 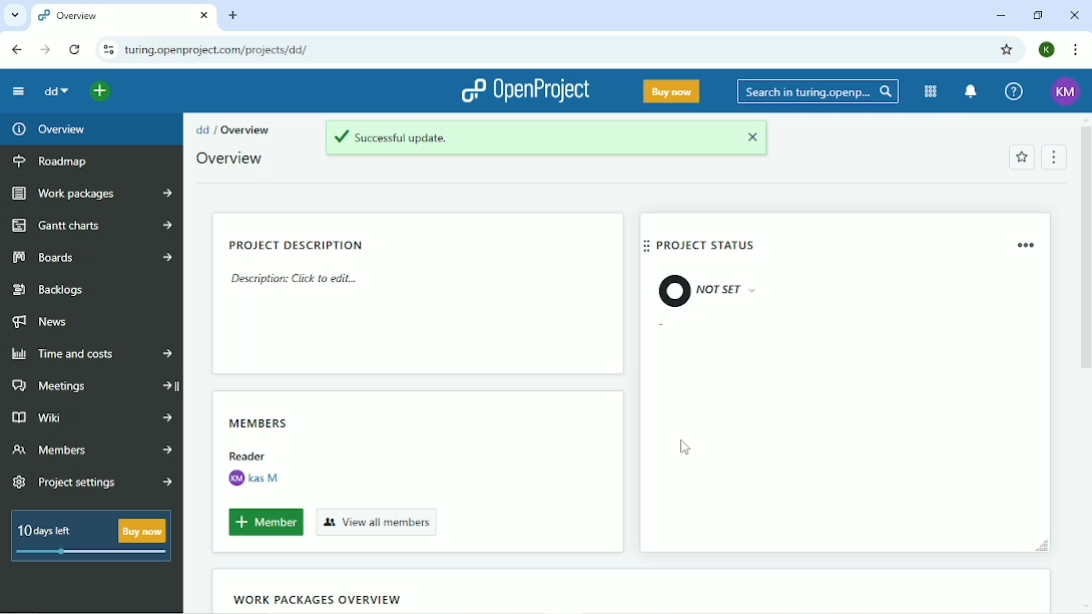 I want to click on 10 days left, so click(x=89, y=538).